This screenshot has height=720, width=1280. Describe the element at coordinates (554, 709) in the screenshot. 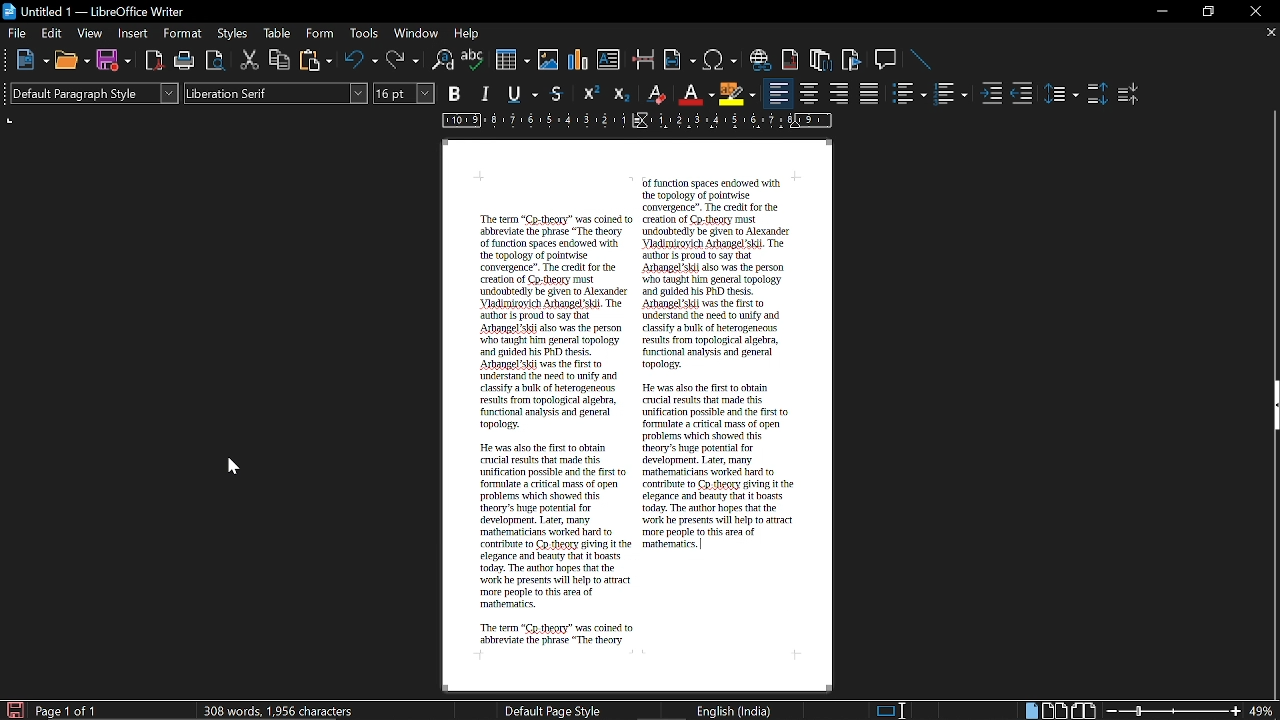

I see `Default Page style` at that location.